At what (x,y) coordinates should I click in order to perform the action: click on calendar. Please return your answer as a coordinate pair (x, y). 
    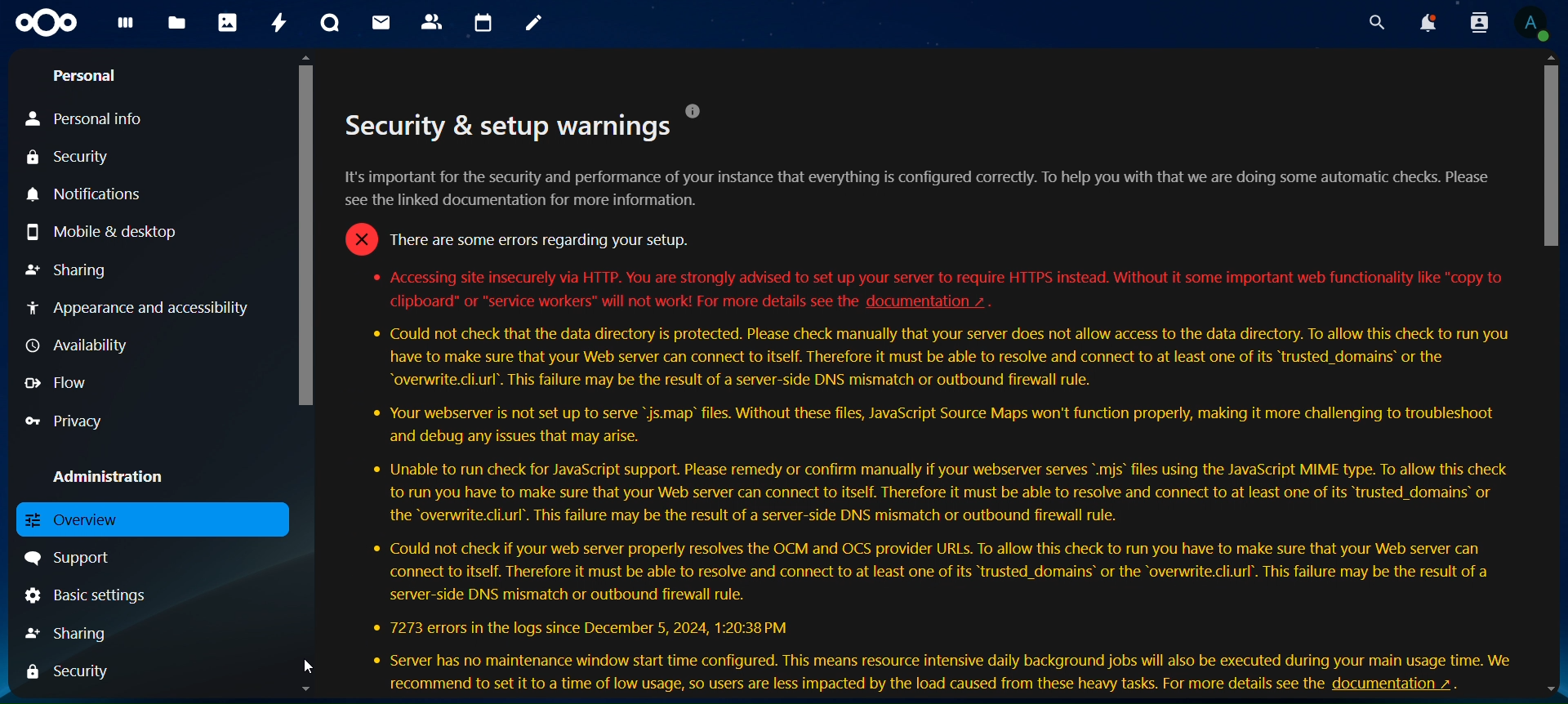
    Looking at the image, I should click on (485, 25).